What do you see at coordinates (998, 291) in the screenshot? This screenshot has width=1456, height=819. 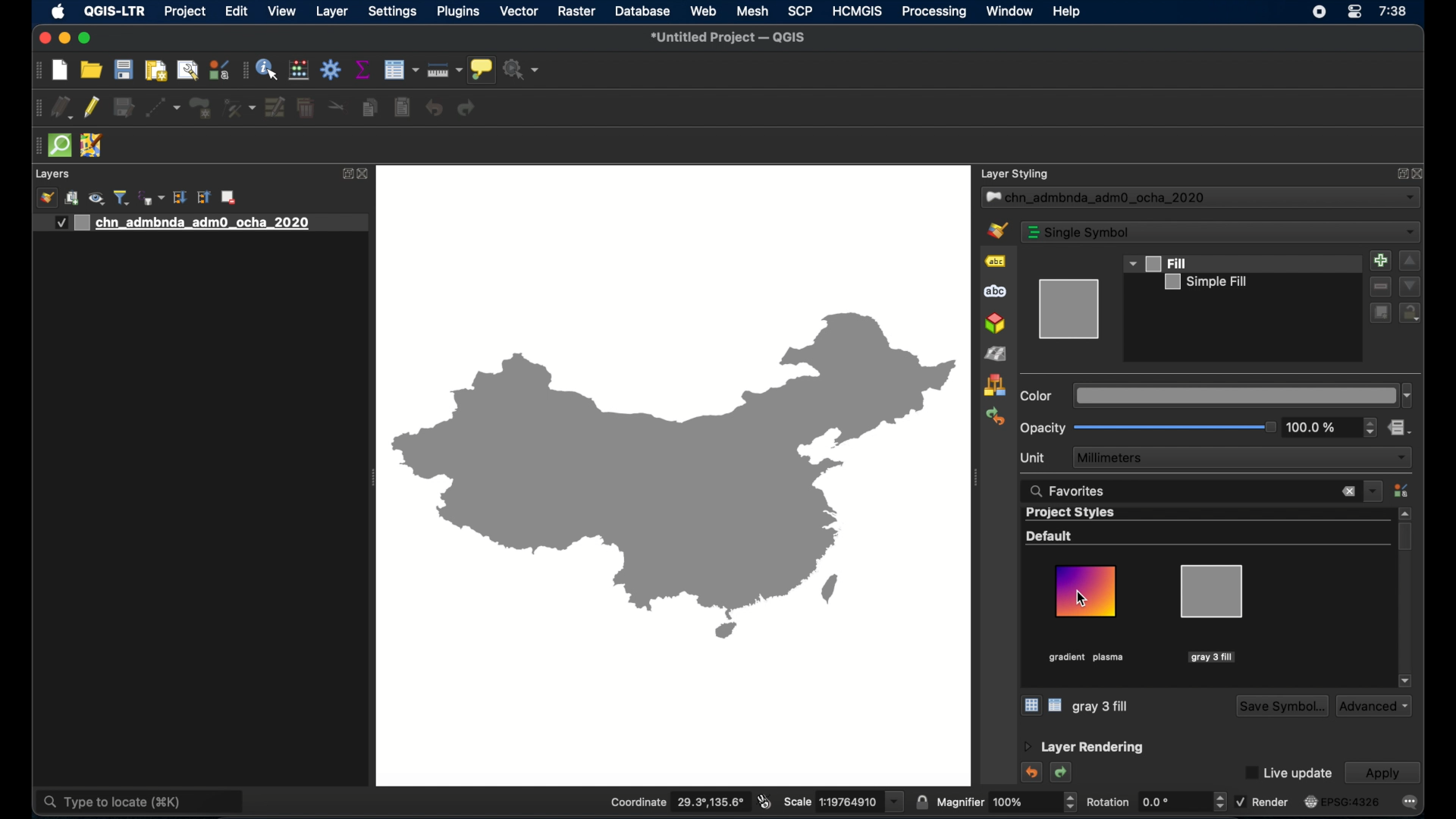 I see `masks` at bounding box center [998, 291].